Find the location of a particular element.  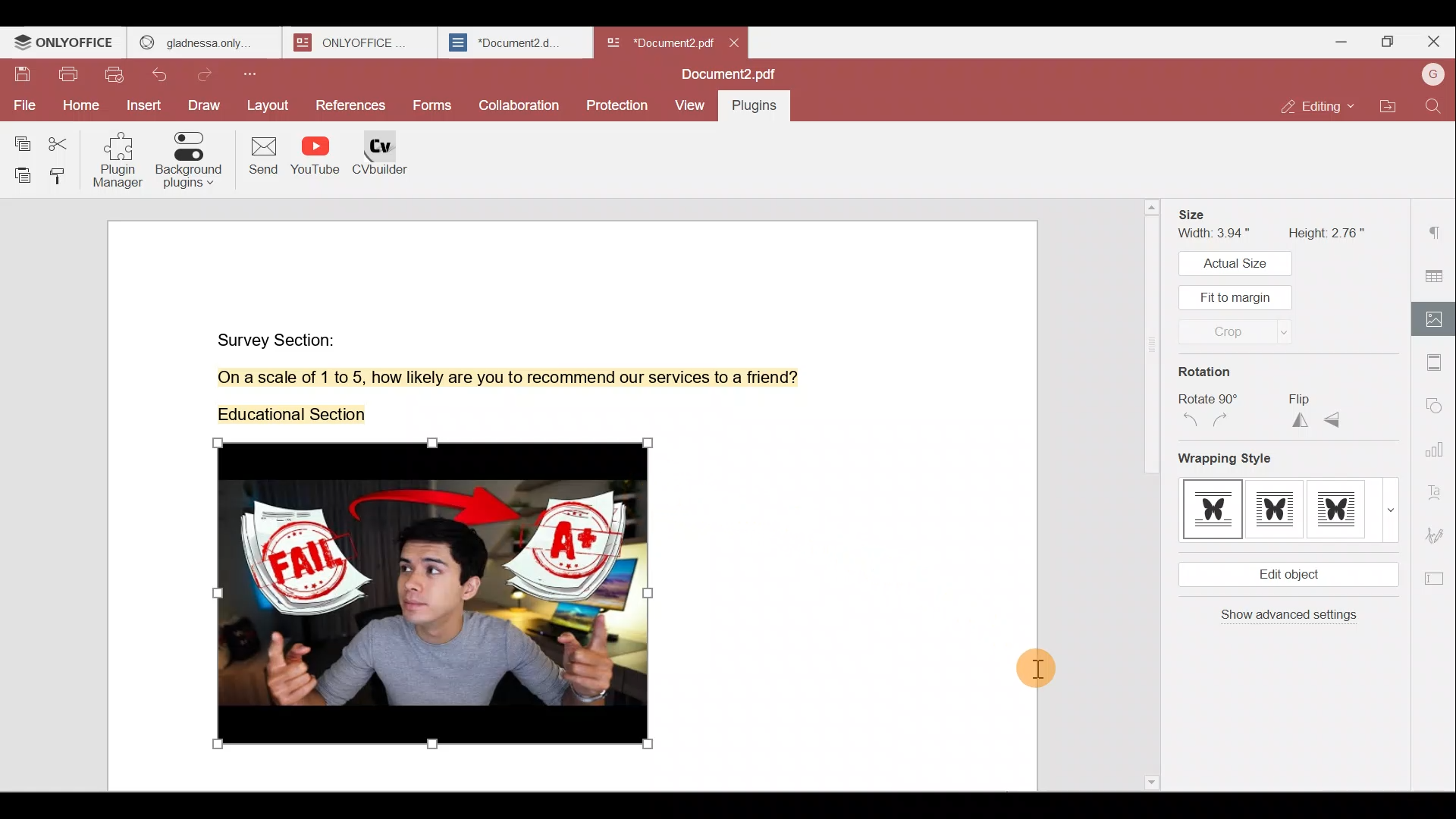

Save is located at coordinates (22, 78).